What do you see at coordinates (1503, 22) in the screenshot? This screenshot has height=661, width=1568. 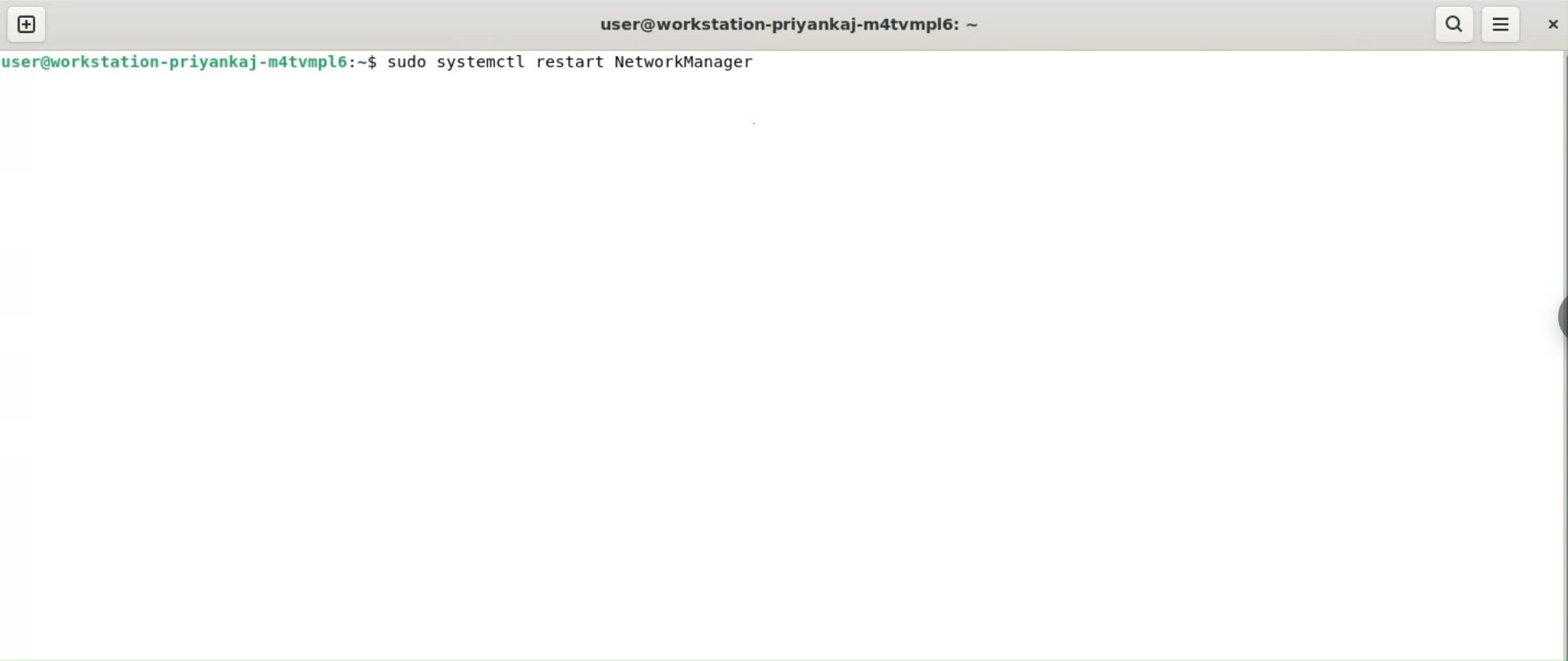 I see `menu` at bounding box center [1503, 22].